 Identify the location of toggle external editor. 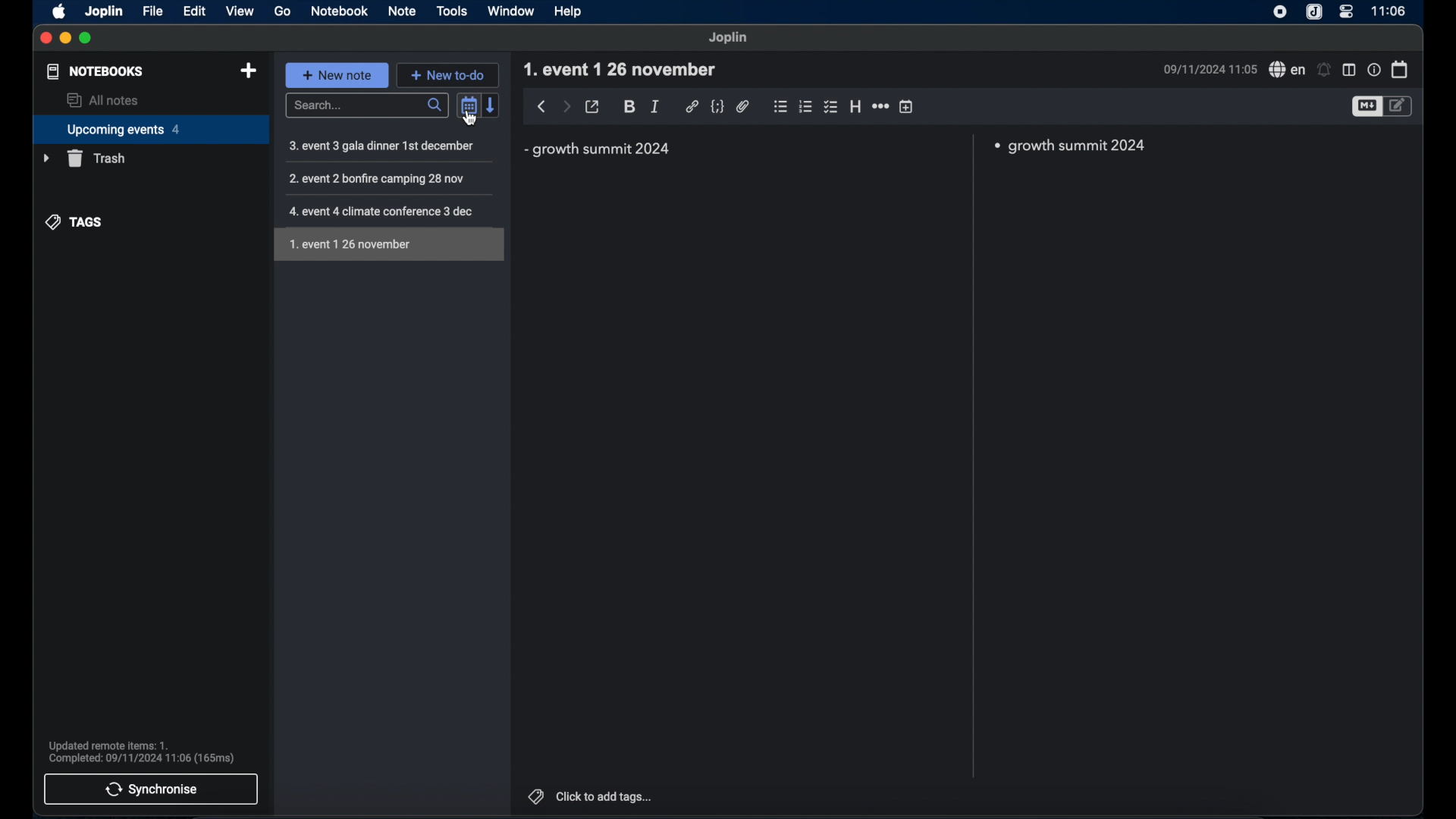
(594, 106).